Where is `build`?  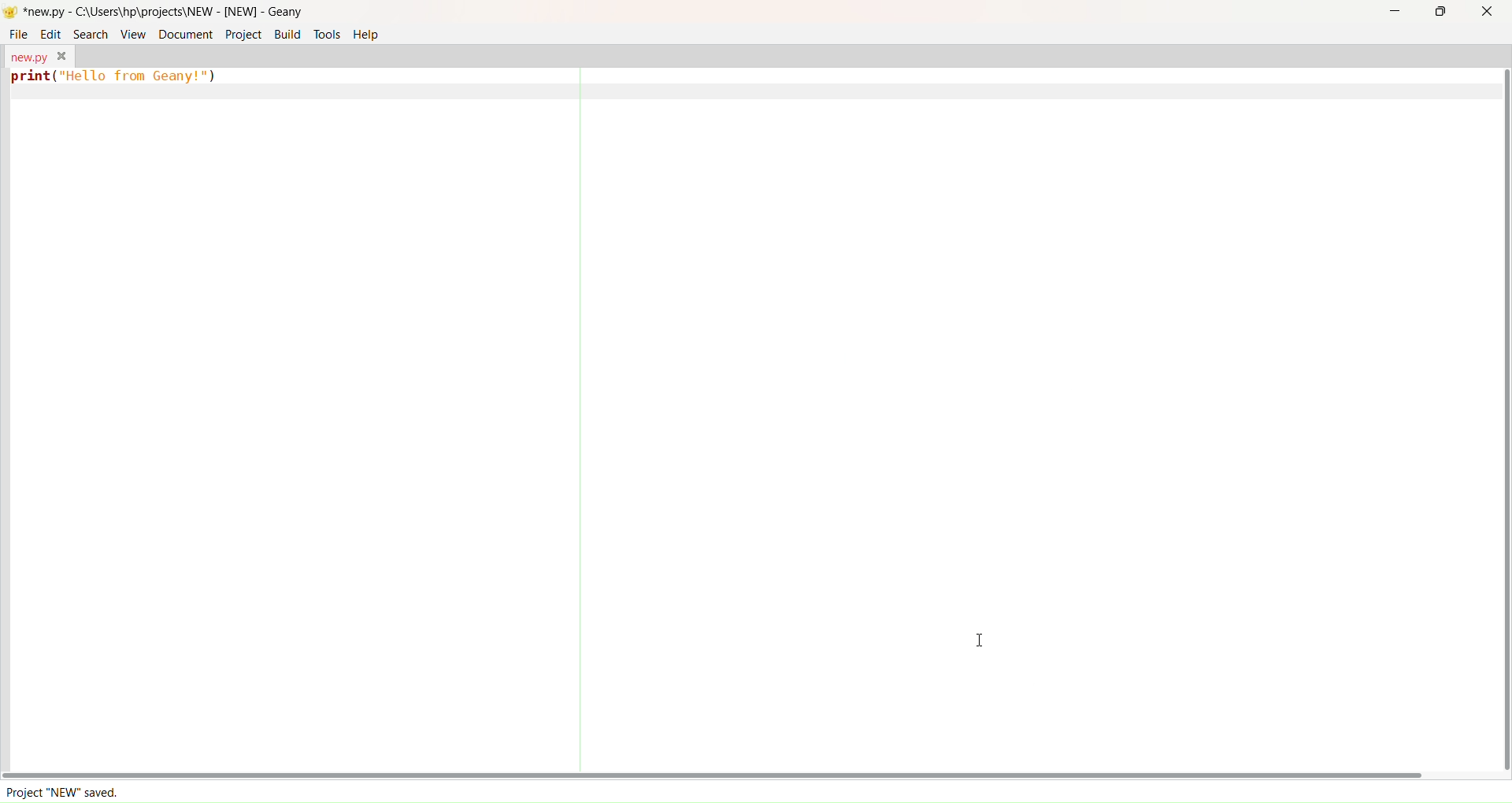
build is located at coordinates (287, 34).